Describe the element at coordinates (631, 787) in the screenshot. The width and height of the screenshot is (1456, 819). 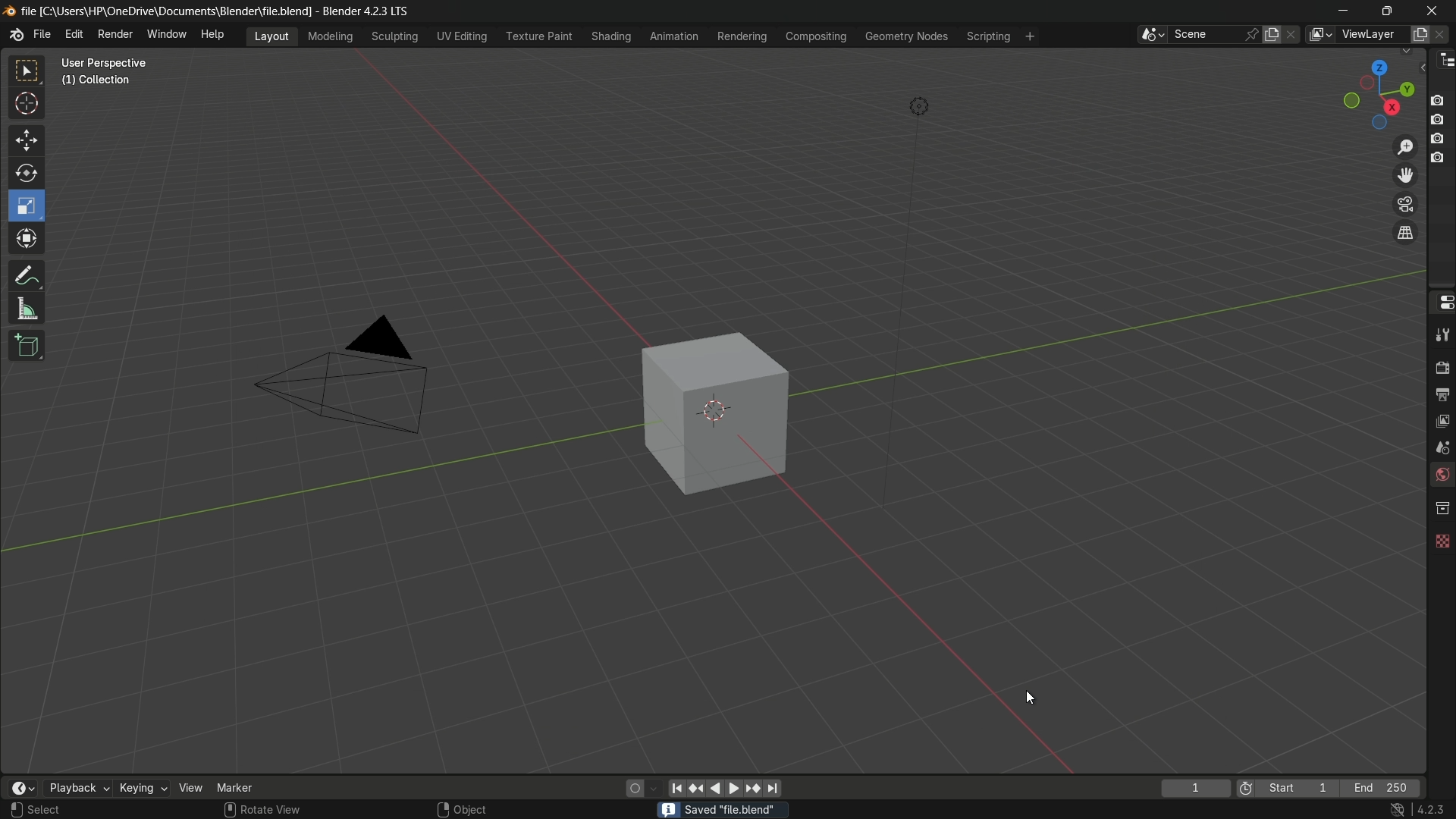
I see `auto keying` at that location.